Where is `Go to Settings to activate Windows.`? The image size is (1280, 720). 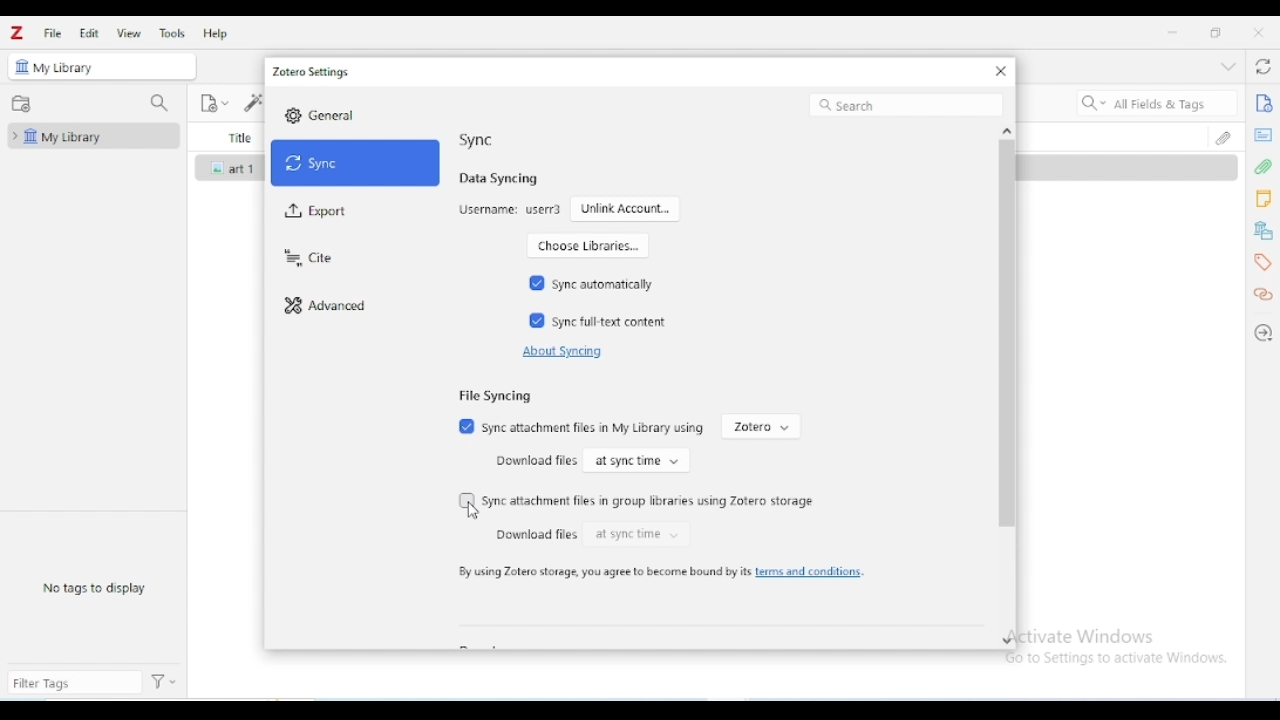 Go to Settings to activate Windows. is located at coordinates (1120, 658).